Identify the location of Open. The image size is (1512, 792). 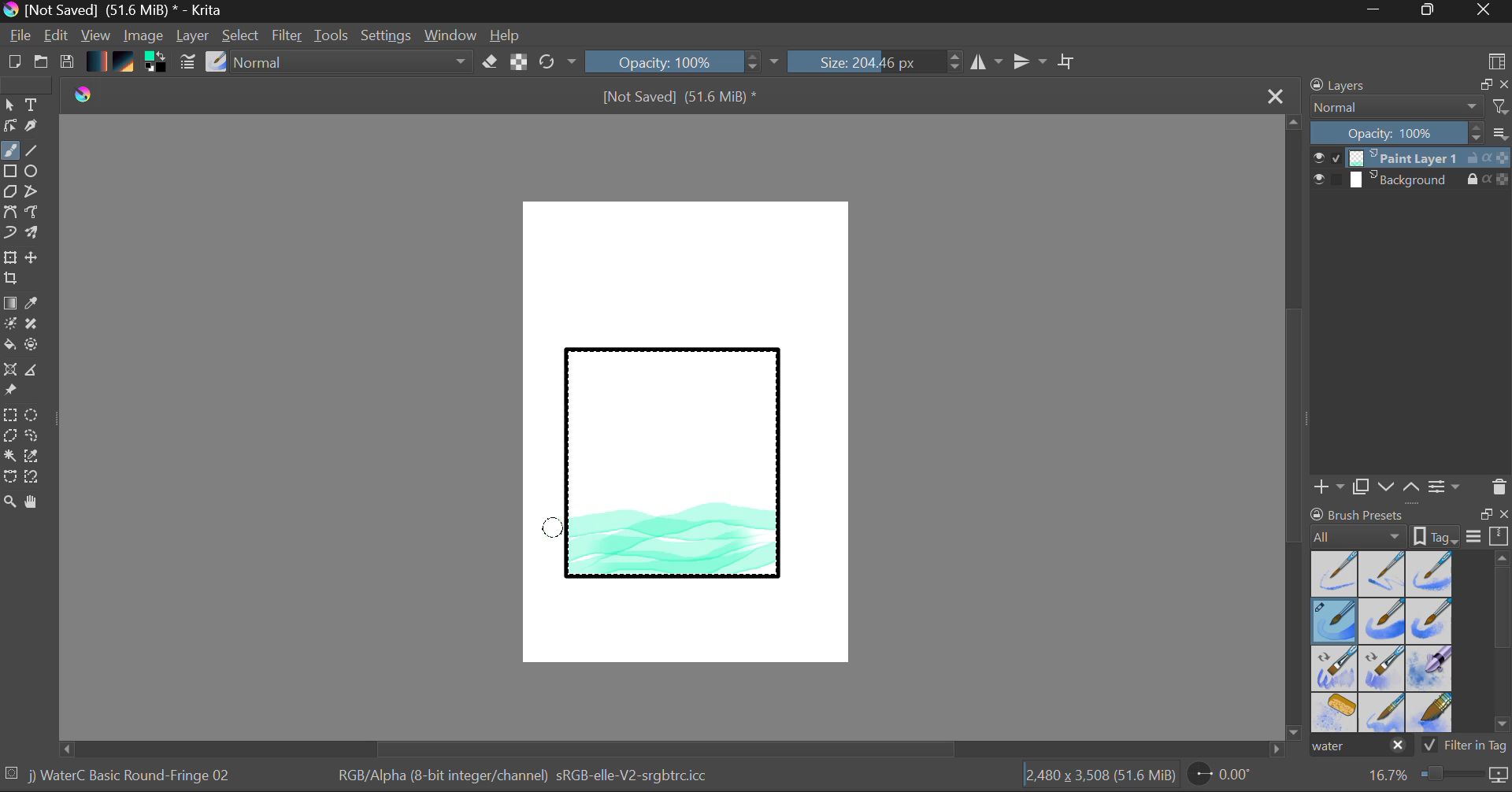
(43, 64).